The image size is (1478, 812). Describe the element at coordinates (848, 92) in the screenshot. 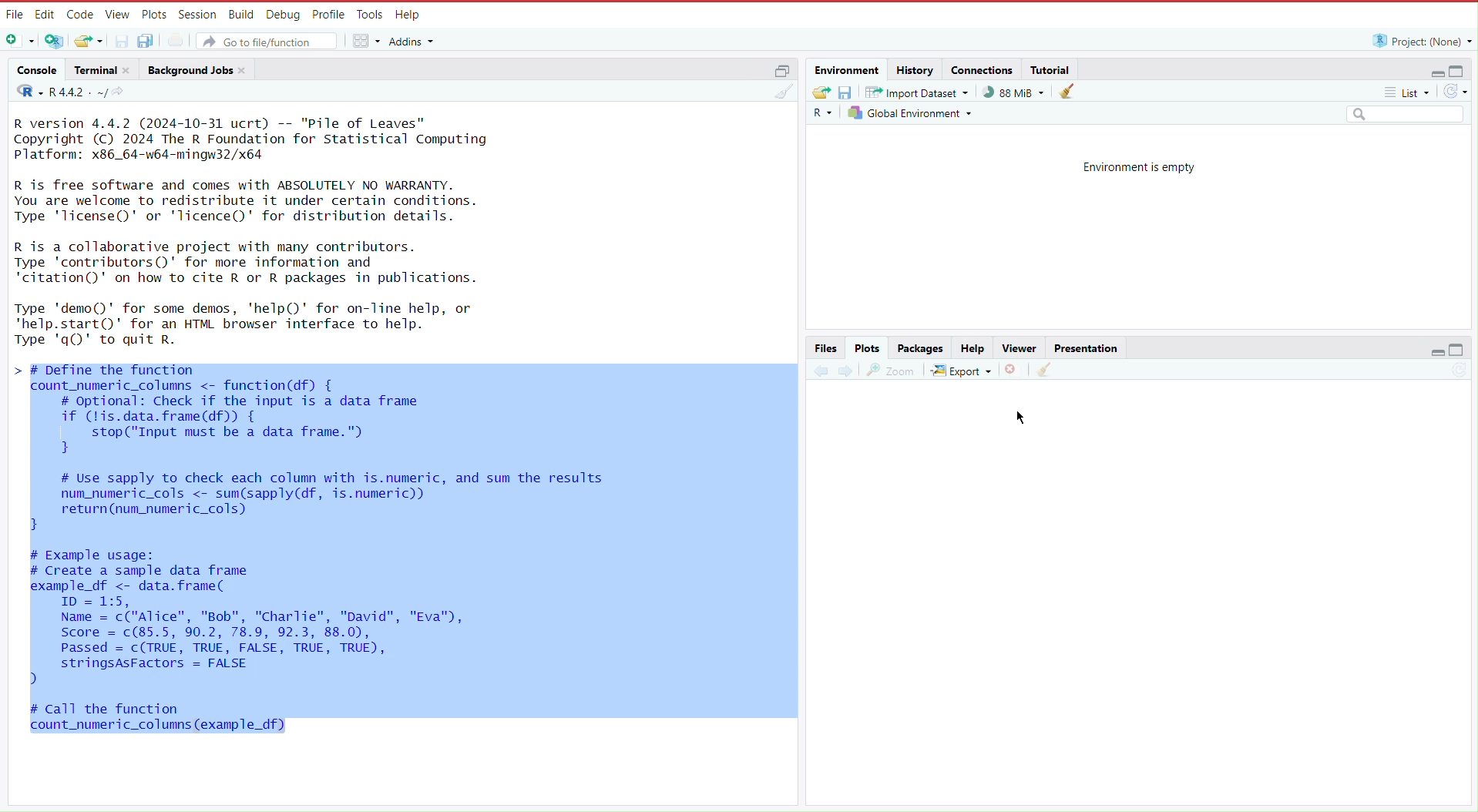

I see `Save workspace as` at that location.